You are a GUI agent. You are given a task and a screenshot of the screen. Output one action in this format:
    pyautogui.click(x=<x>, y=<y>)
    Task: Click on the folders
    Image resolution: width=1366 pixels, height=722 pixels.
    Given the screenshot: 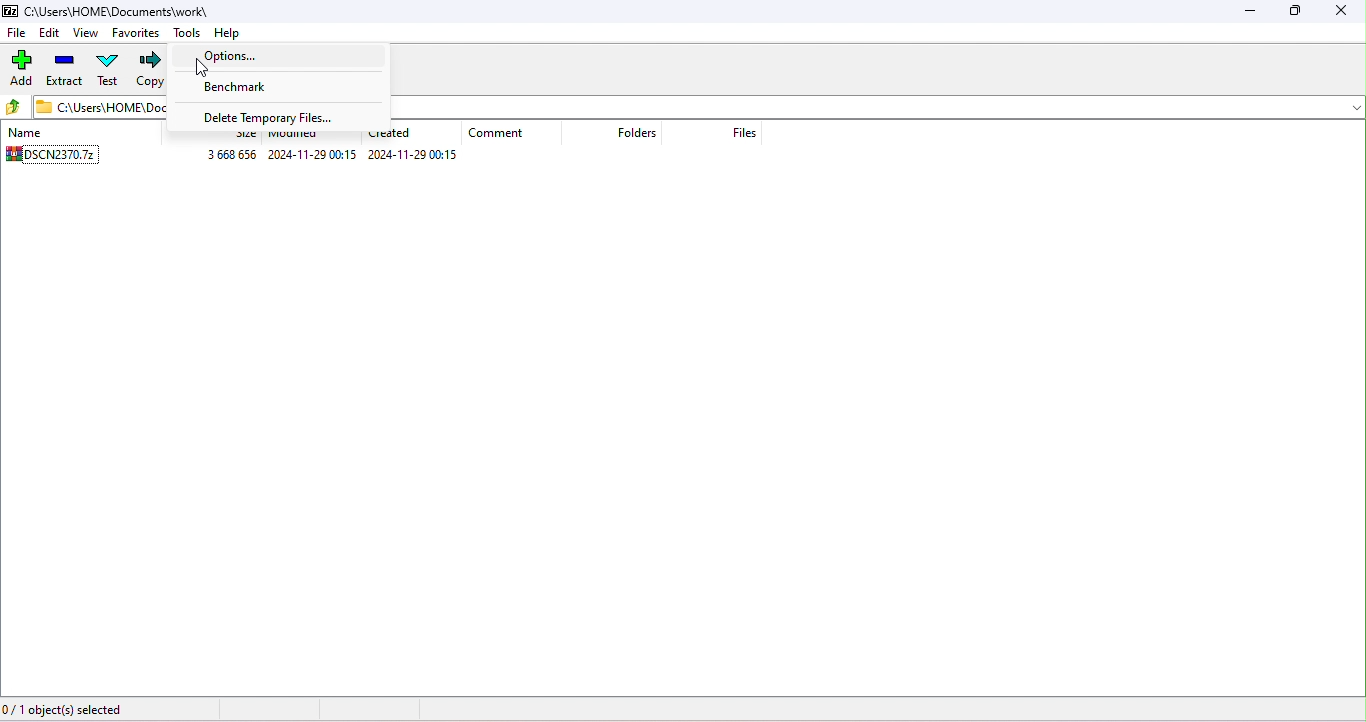 What is the action you would take?
    pyautogui.click(x=624, y=133)
    